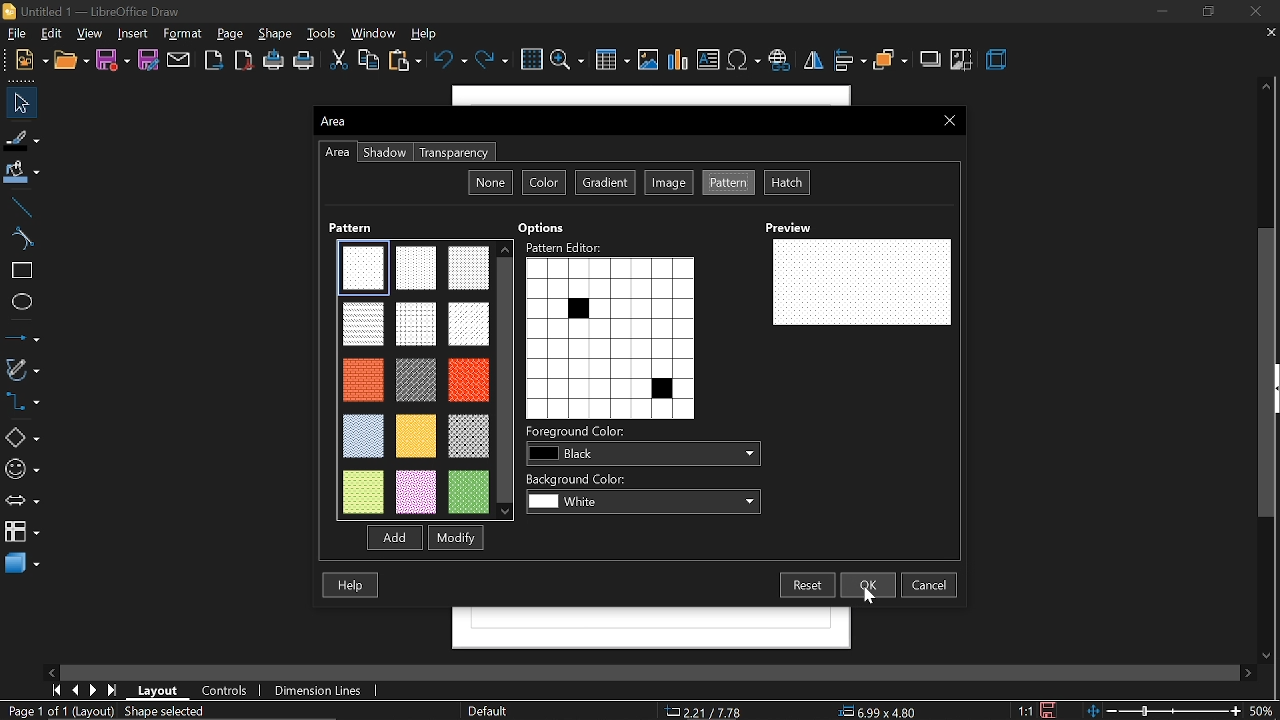 The image size is (1280, 720). I want to click on foreground color, so click(640, 455).